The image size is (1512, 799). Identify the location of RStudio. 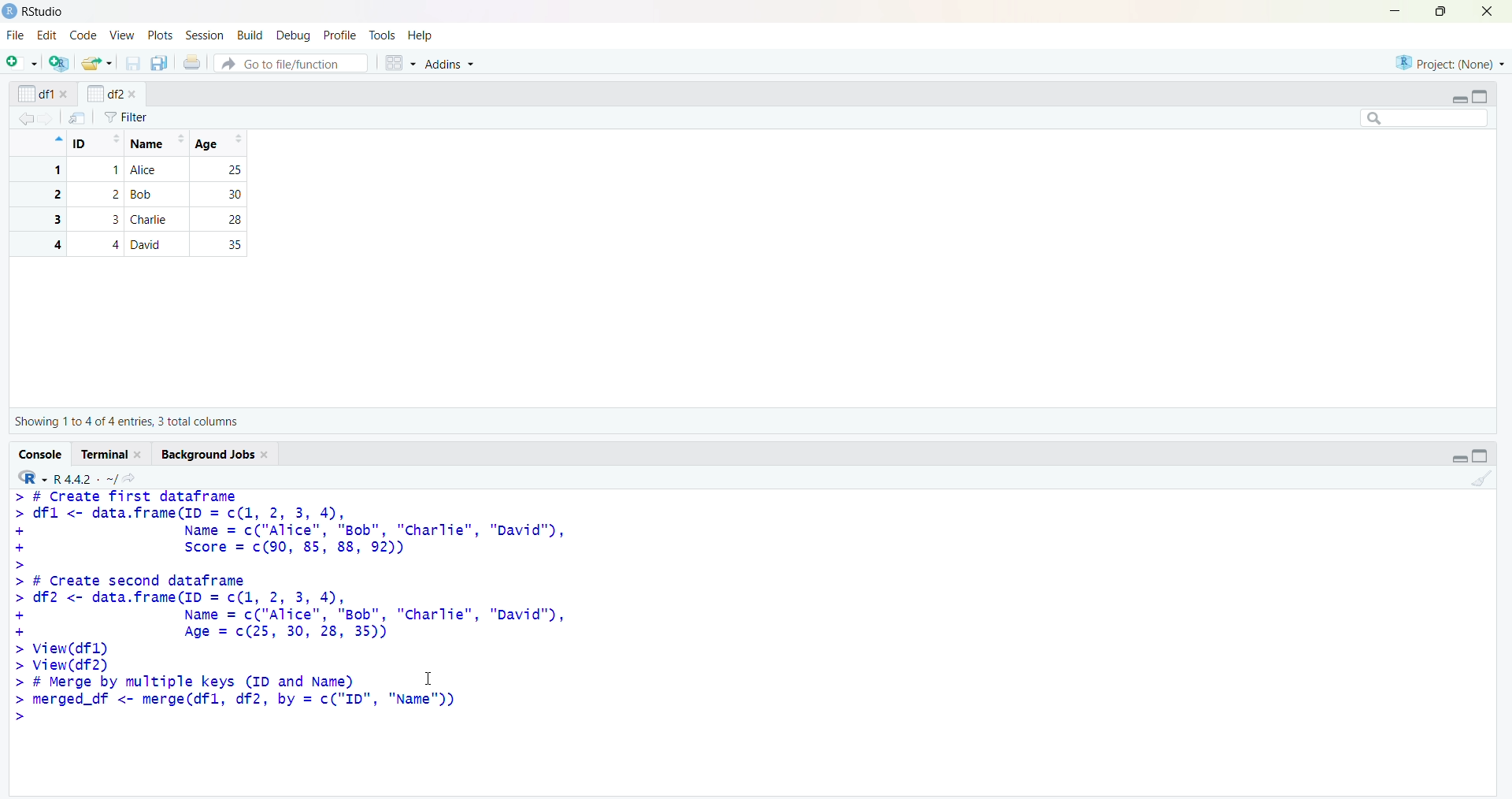
(45, 12).